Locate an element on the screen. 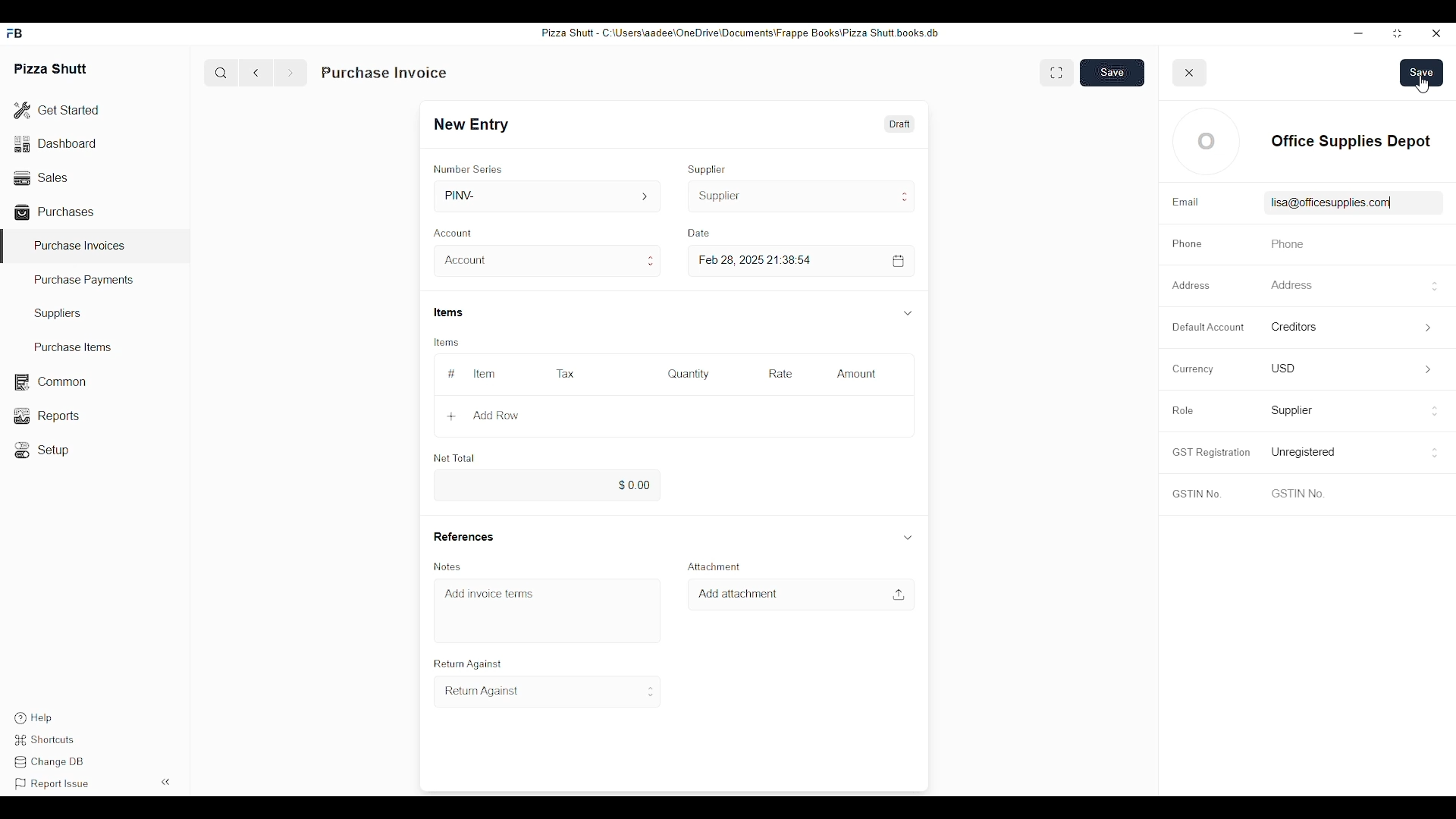 The image size is (1456, 819). minimize is located at coordinates (1358, 33).